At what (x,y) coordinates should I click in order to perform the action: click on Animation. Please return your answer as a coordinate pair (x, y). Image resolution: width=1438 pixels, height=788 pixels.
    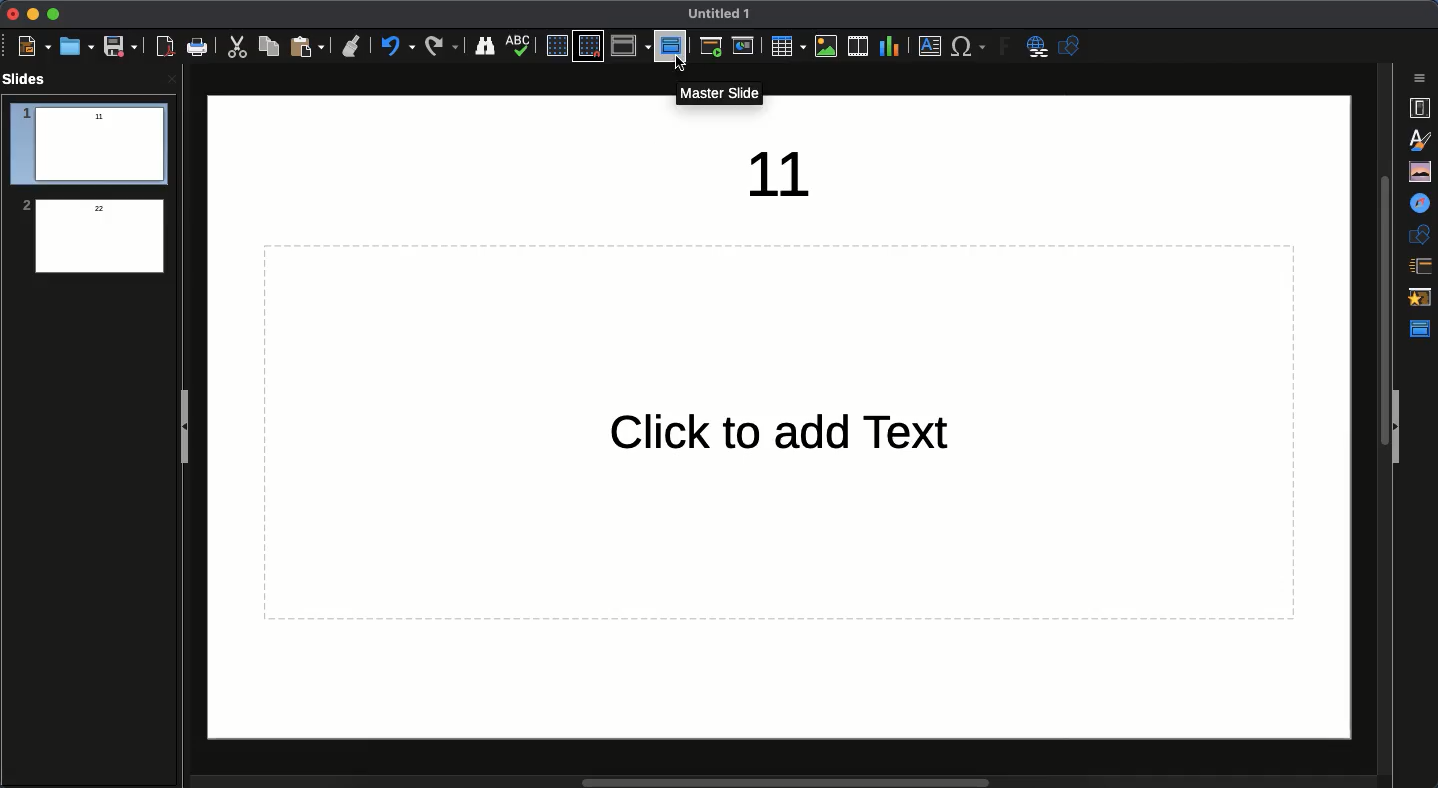
    Looking at the image, I should click on (1422, 299).